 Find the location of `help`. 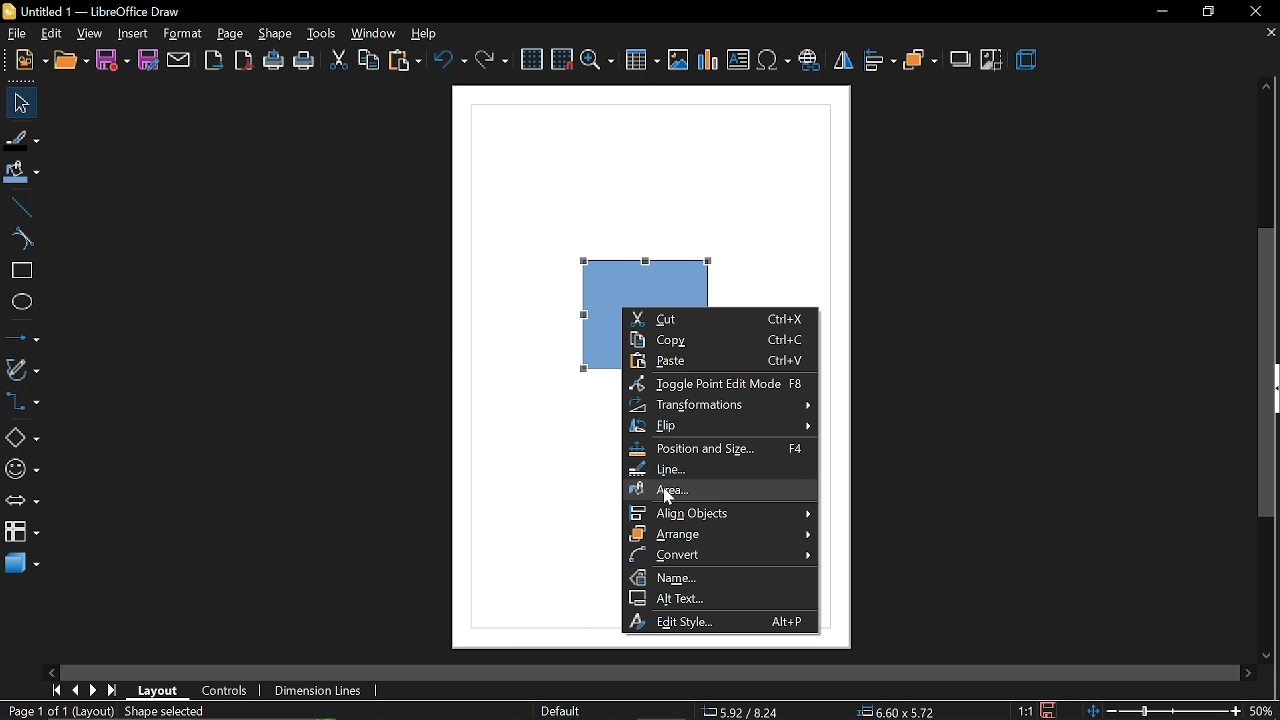

help is located at coordinates (430, 34).